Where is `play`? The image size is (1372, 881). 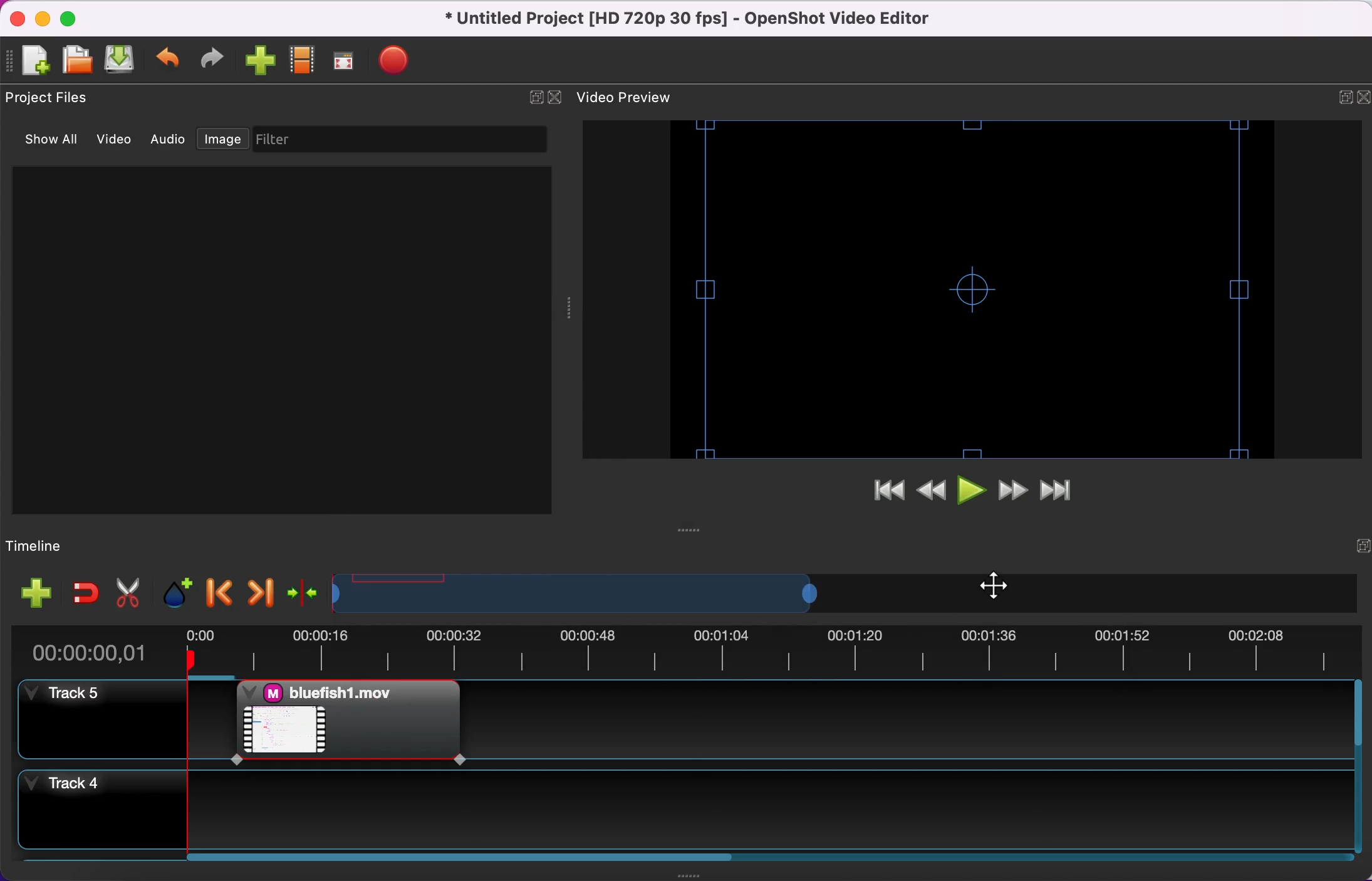 play is located at coordinates (970, 492).